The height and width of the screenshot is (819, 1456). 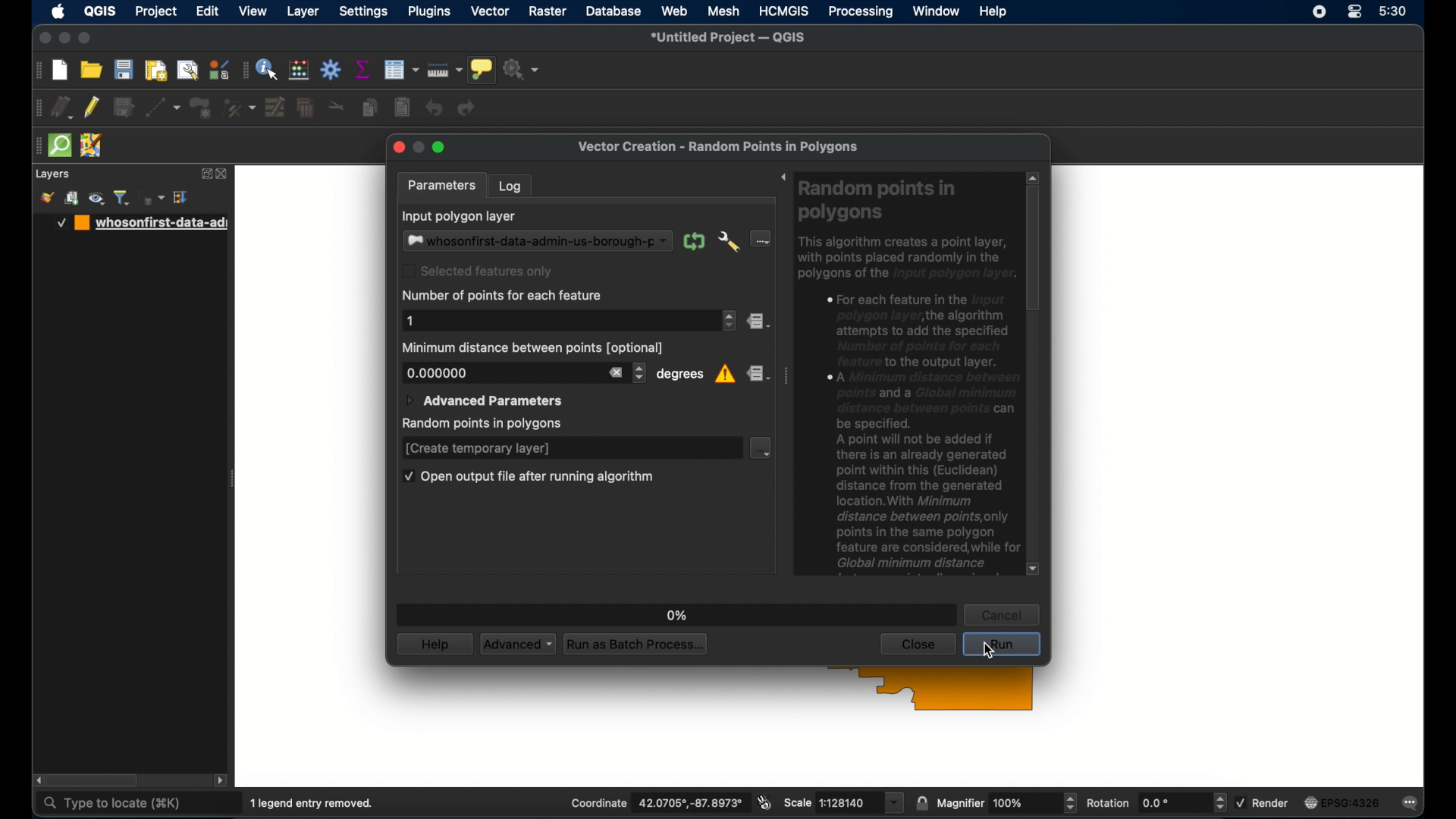 I want to click on new project, so click(x=60, y=70).